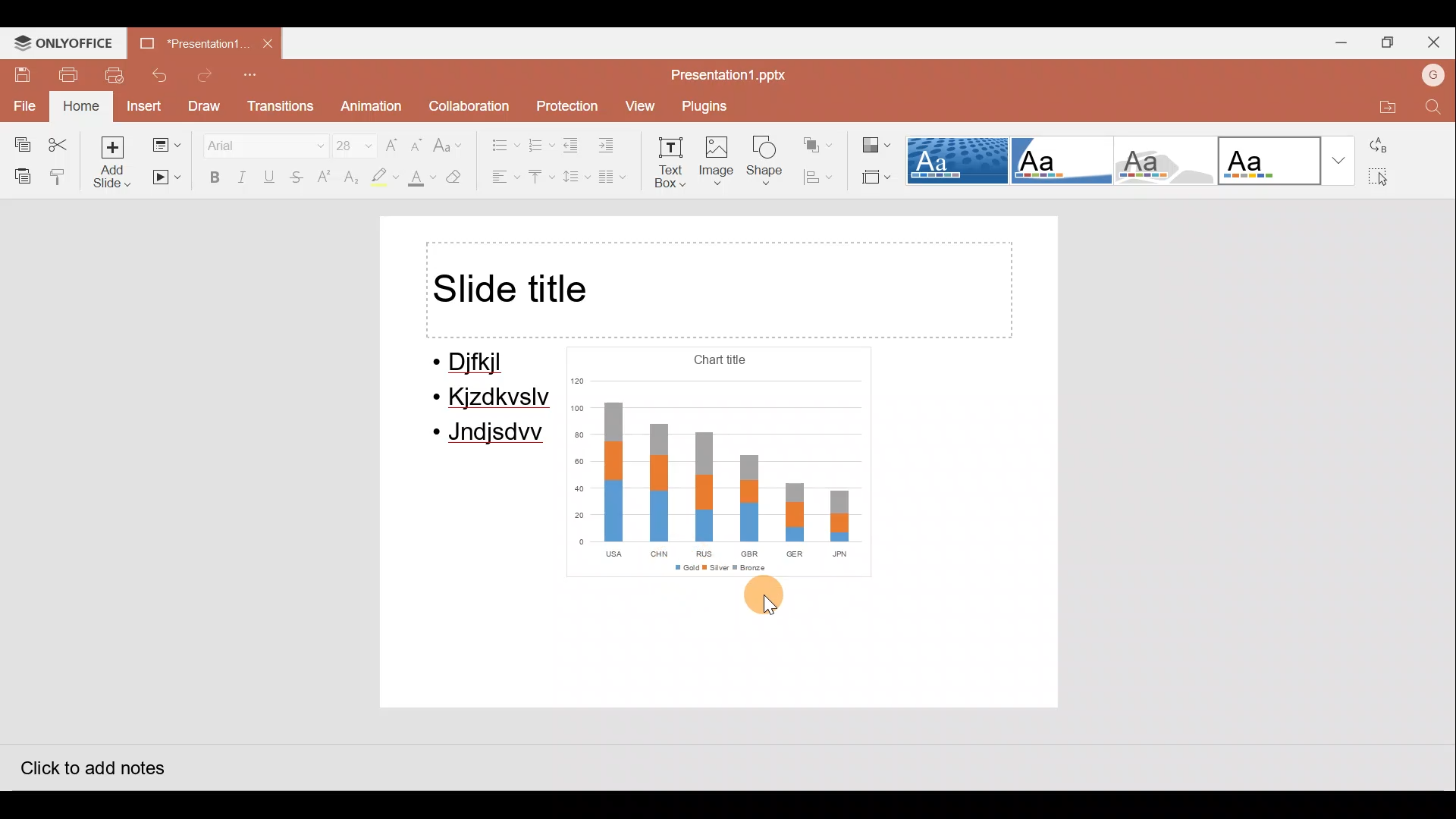 Image resolution: width=1456 pixels, height=819 pixels. Describe the element at coordinates (192, 42) in the screenshot. I see `Presentation1.` at that location.